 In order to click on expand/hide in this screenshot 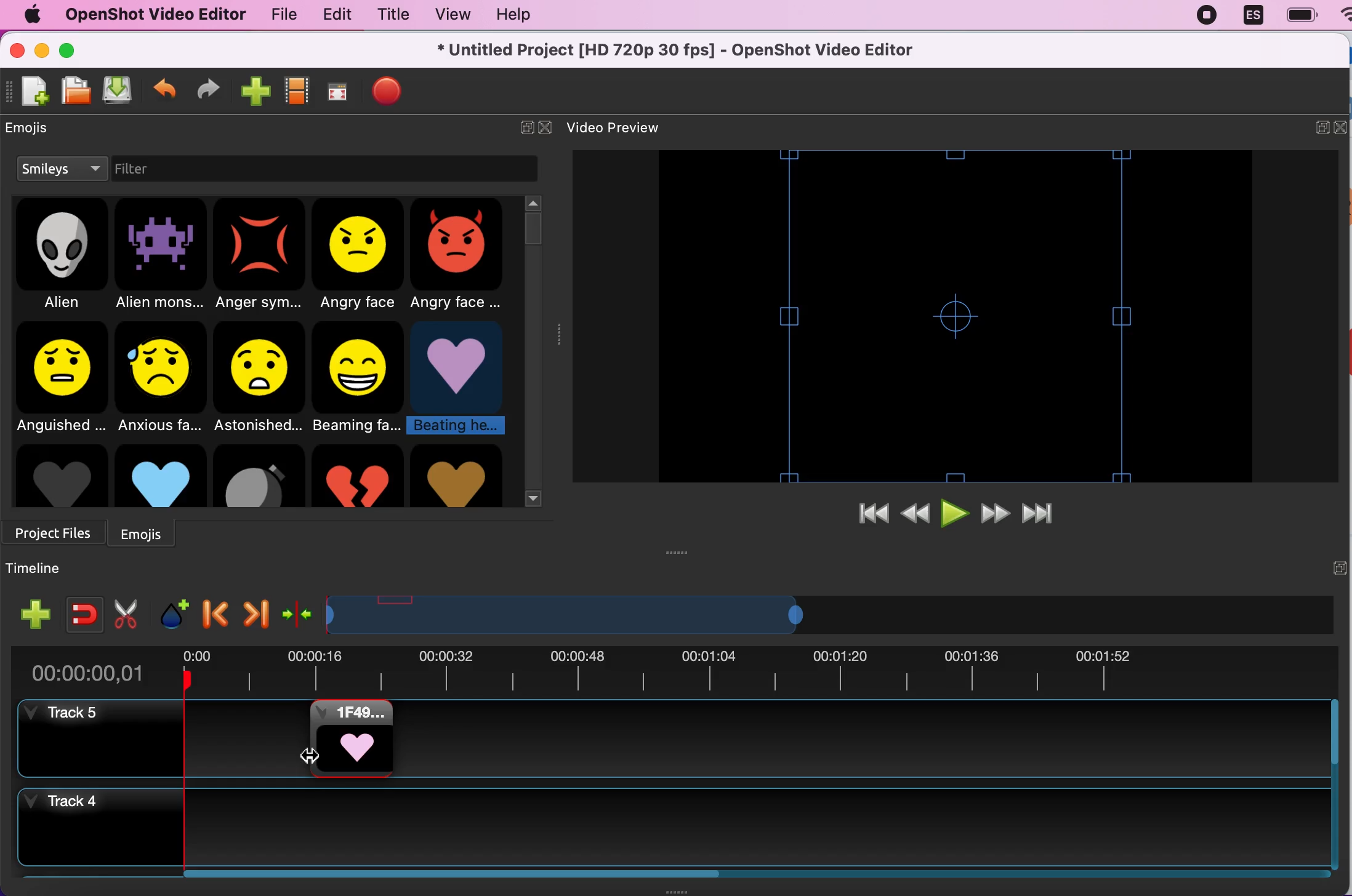, I will do `click(1338, 567)`.